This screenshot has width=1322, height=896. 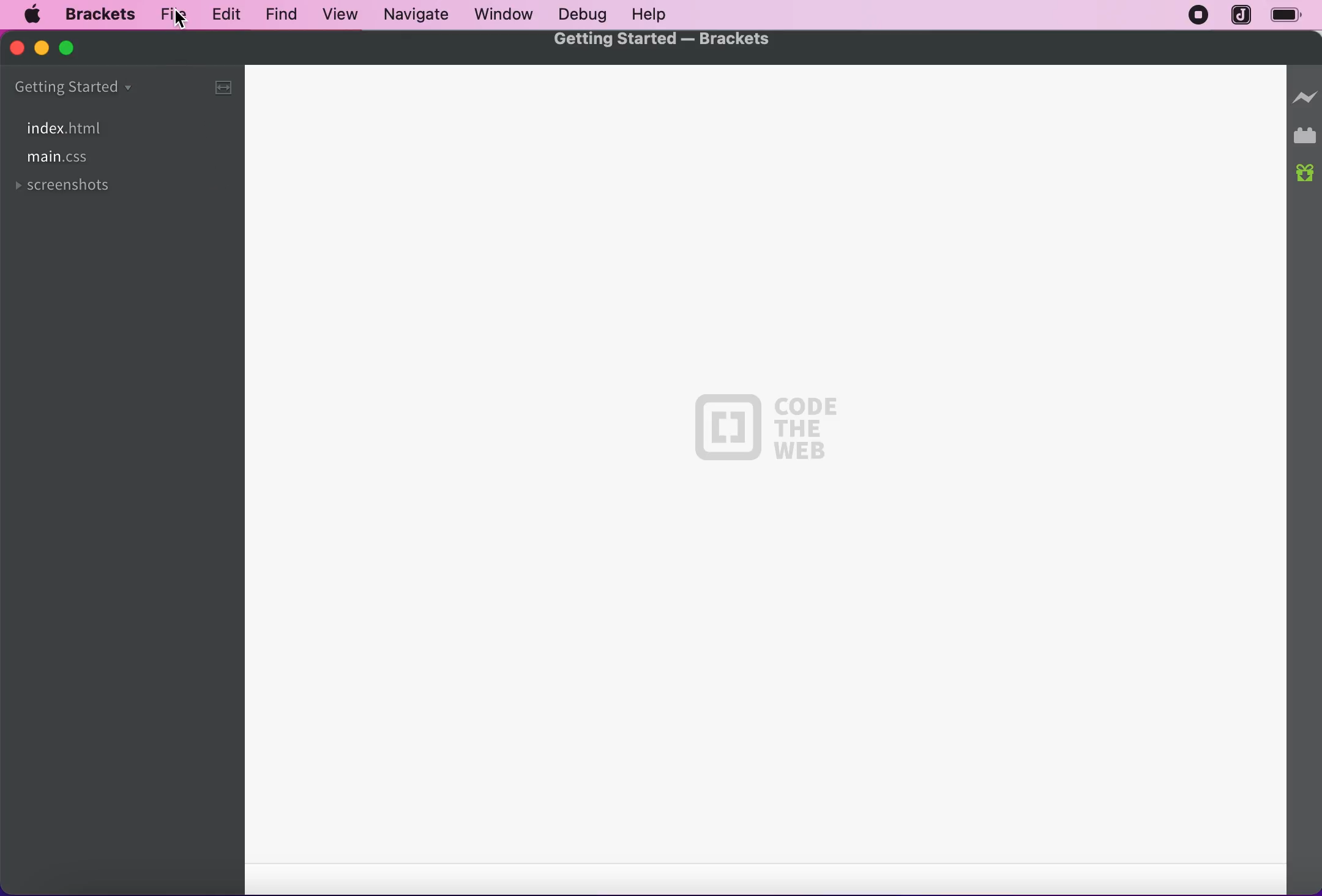 What do you see at coordinates (1292, 17) in the screenshot?
I see `battery` at bounding box center [1292, 17].